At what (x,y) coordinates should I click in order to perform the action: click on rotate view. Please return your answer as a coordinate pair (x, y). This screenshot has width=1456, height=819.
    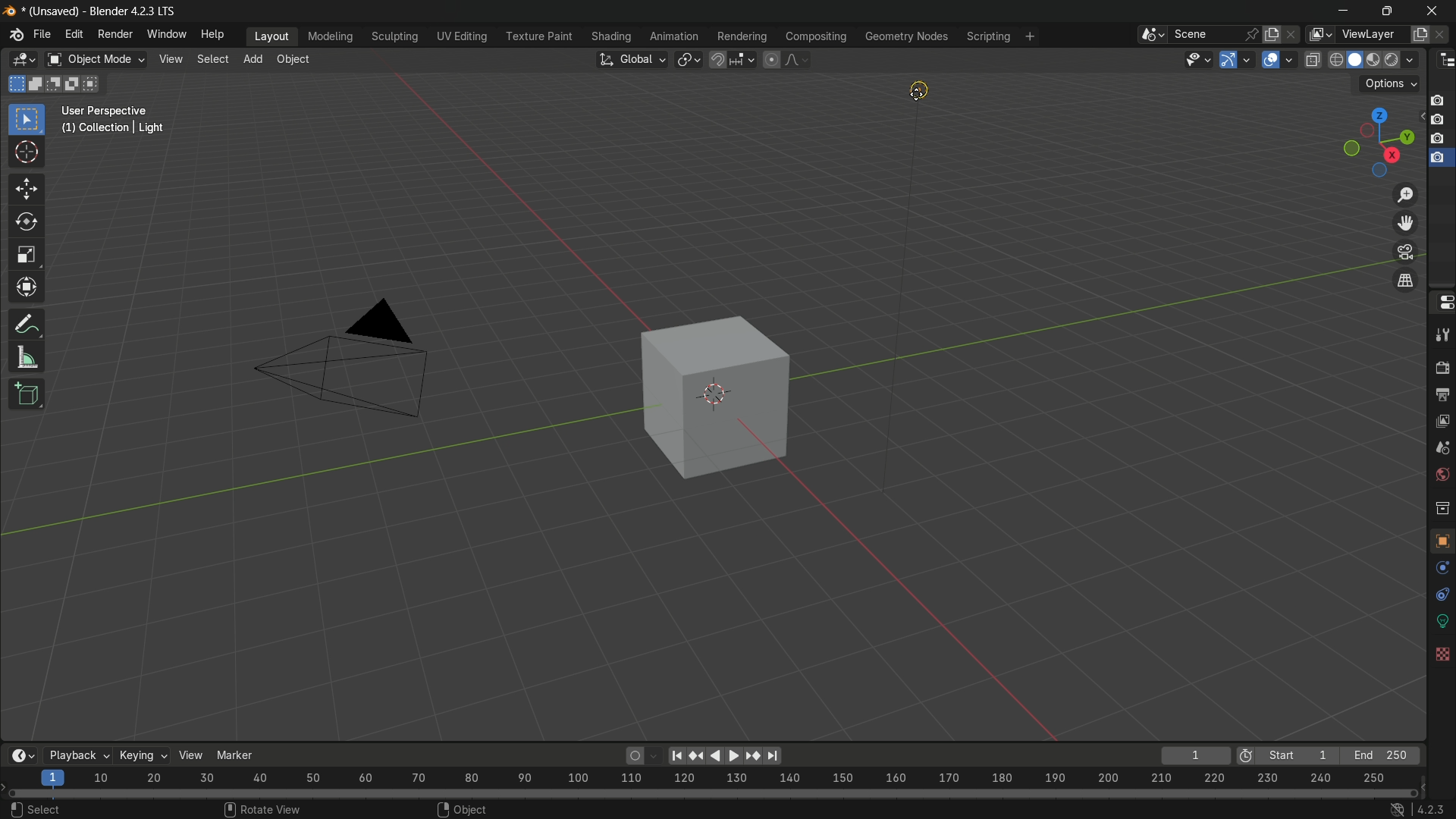
    Looking at the image, I should click on (266, 808).